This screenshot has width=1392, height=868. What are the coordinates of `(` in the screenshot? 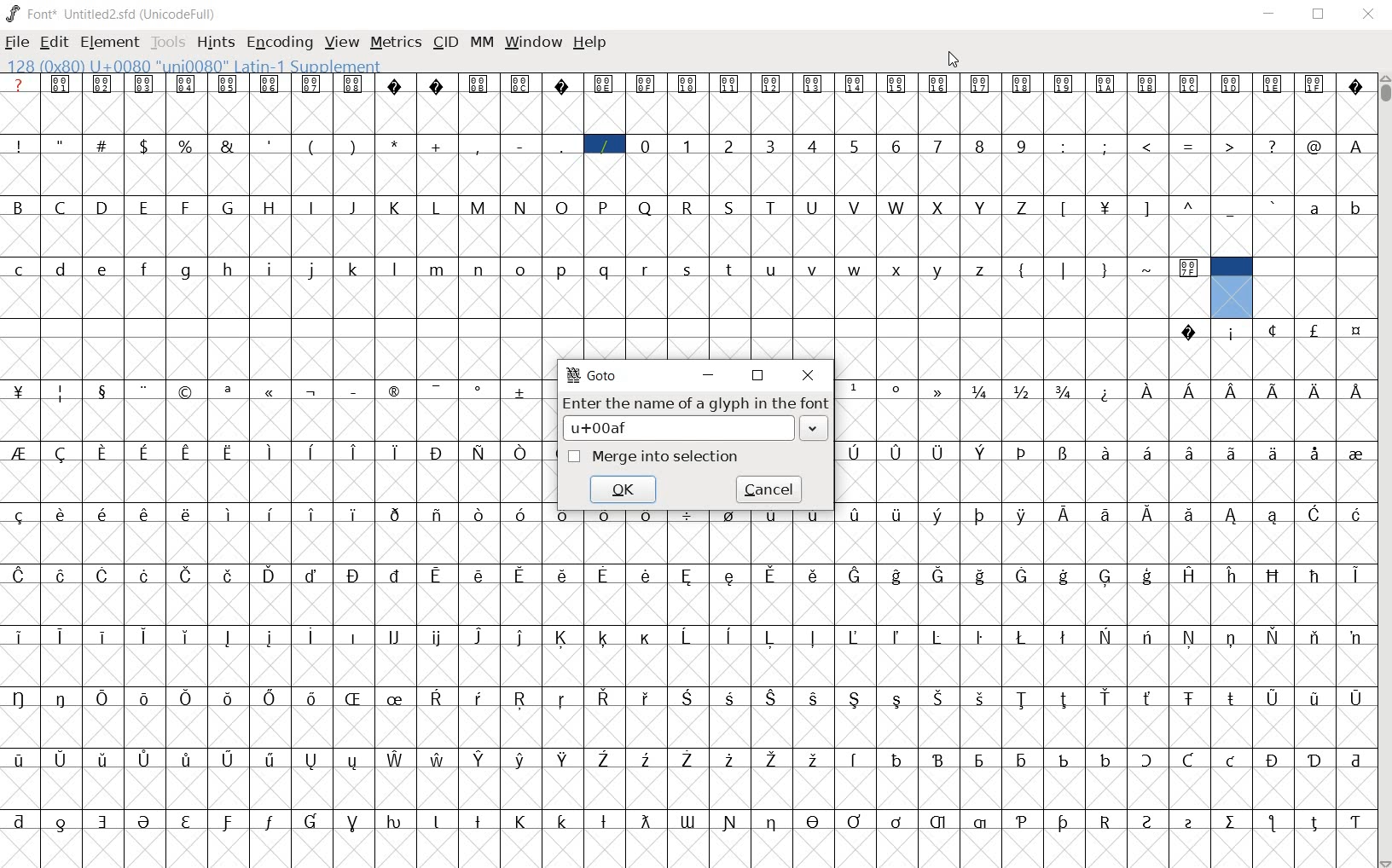 It's located at (312, 145).